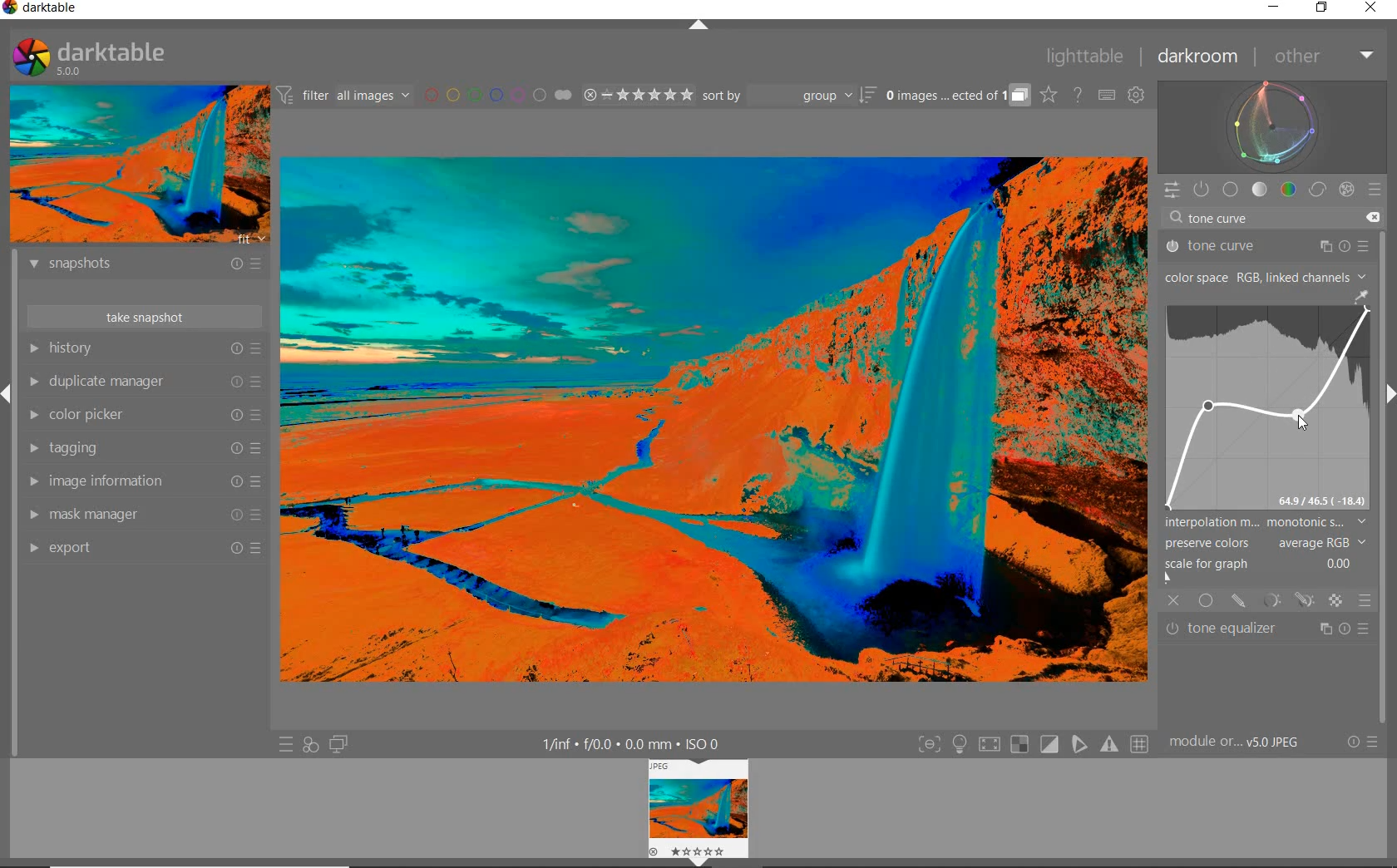 Image resolution: width=1397 pixels, height=868 pixels. Describe the element at coordinates (146, 550) in the screenshot. I see `export` at that location.